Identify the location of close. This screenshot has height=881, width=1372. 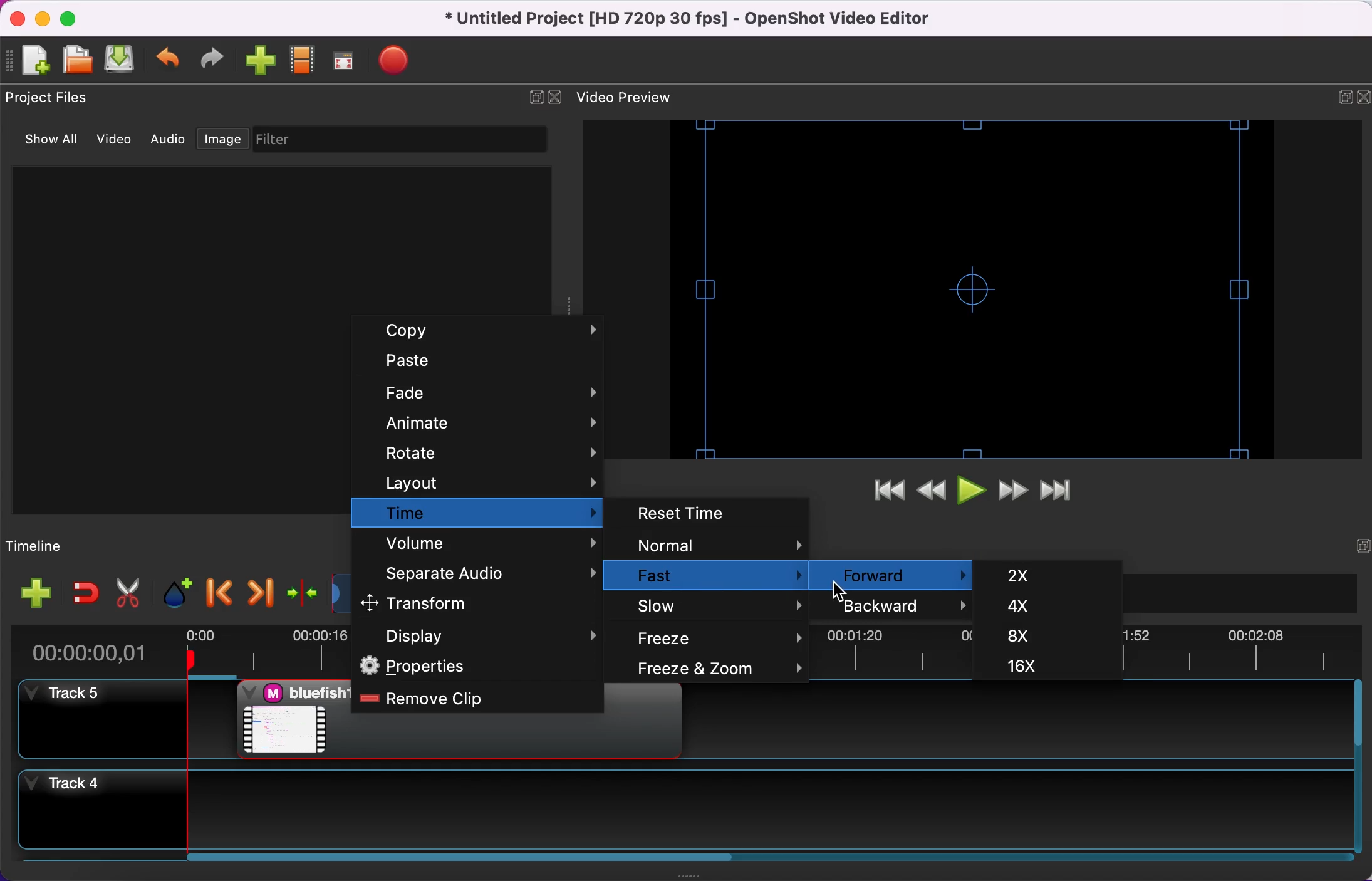
(18, 18).